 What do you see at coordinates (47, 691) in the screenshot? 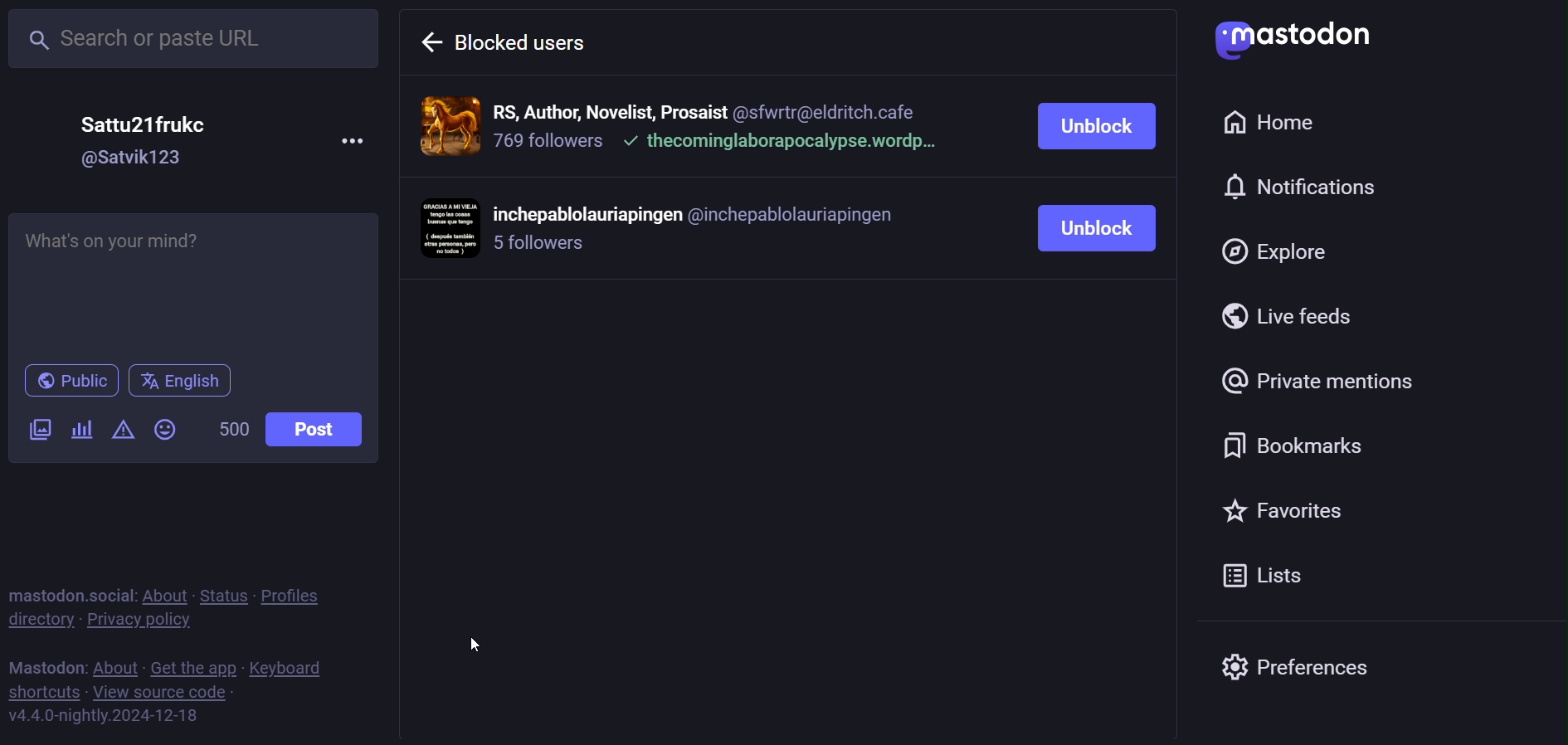
I see `shorcuts` at bounding box center [47, 691].